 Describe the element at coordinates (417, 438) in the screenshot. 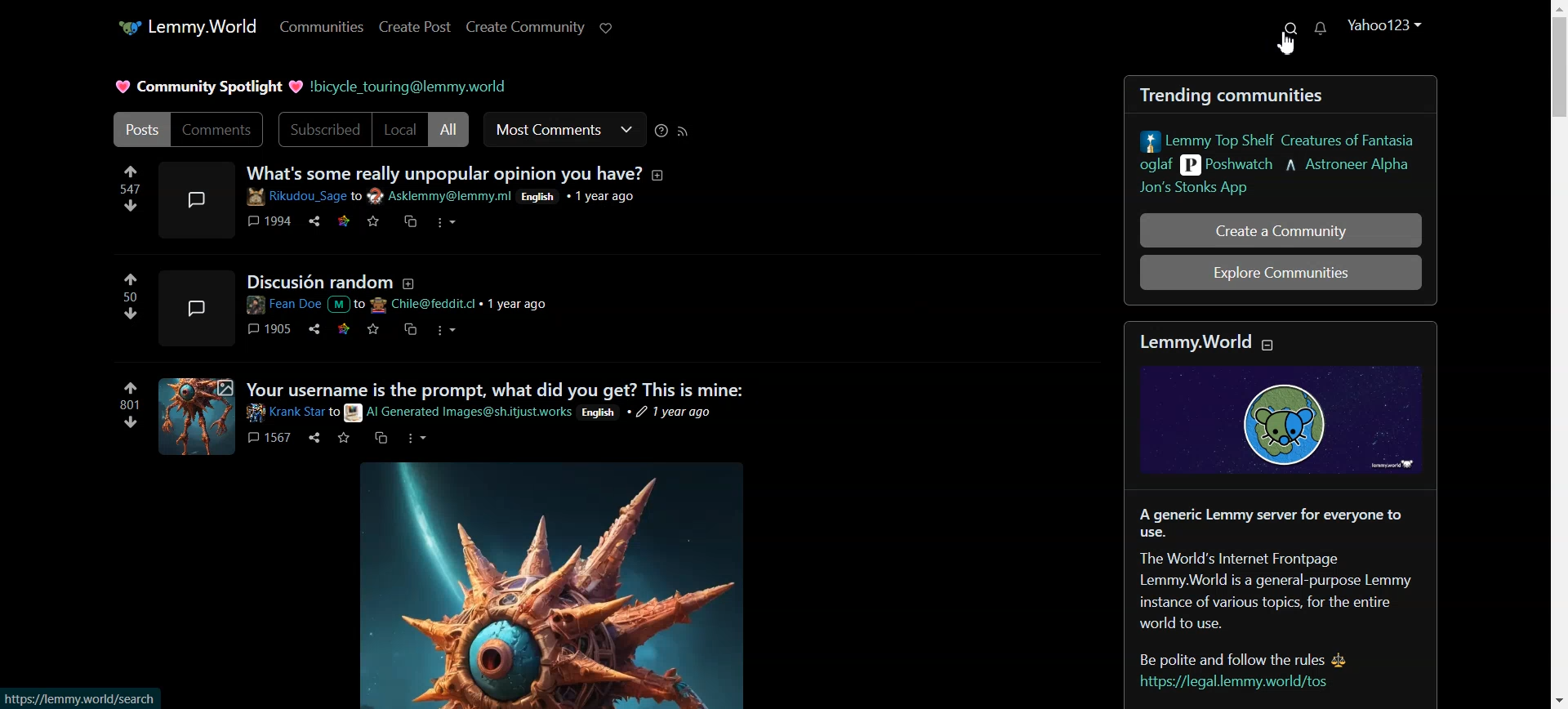

I see `options` at that location.